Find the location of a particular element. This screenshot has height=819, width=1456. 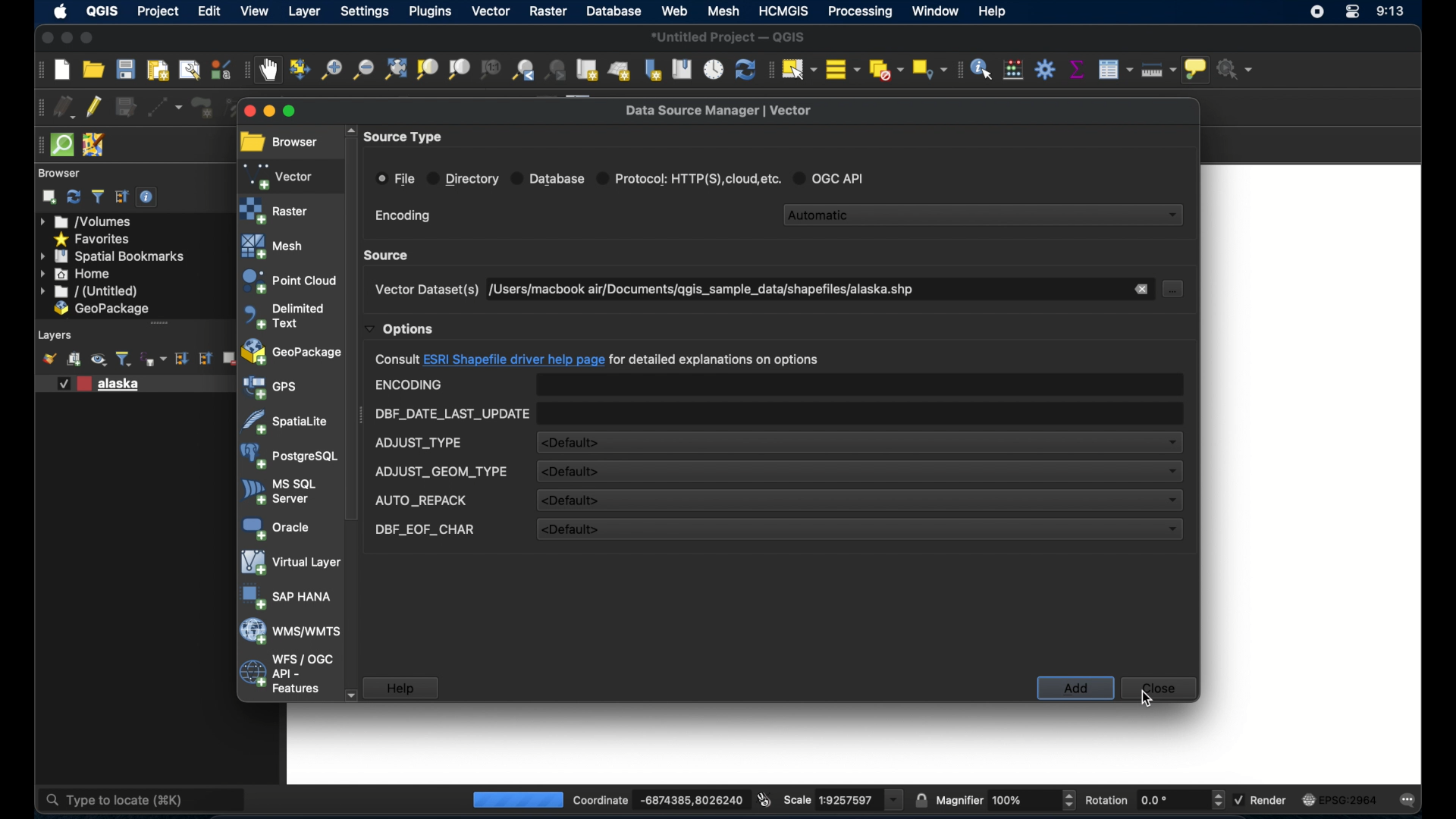

browser is located at coordinates (62, 173).